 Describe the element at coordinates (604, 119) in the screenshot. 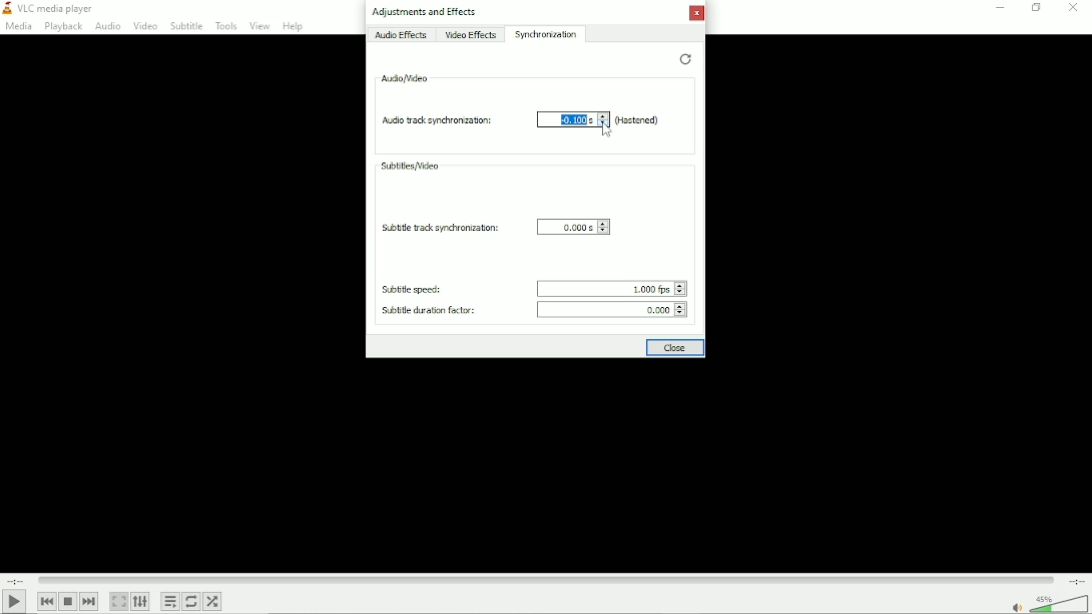

I see `adjust Audio track synchronization` at that location.